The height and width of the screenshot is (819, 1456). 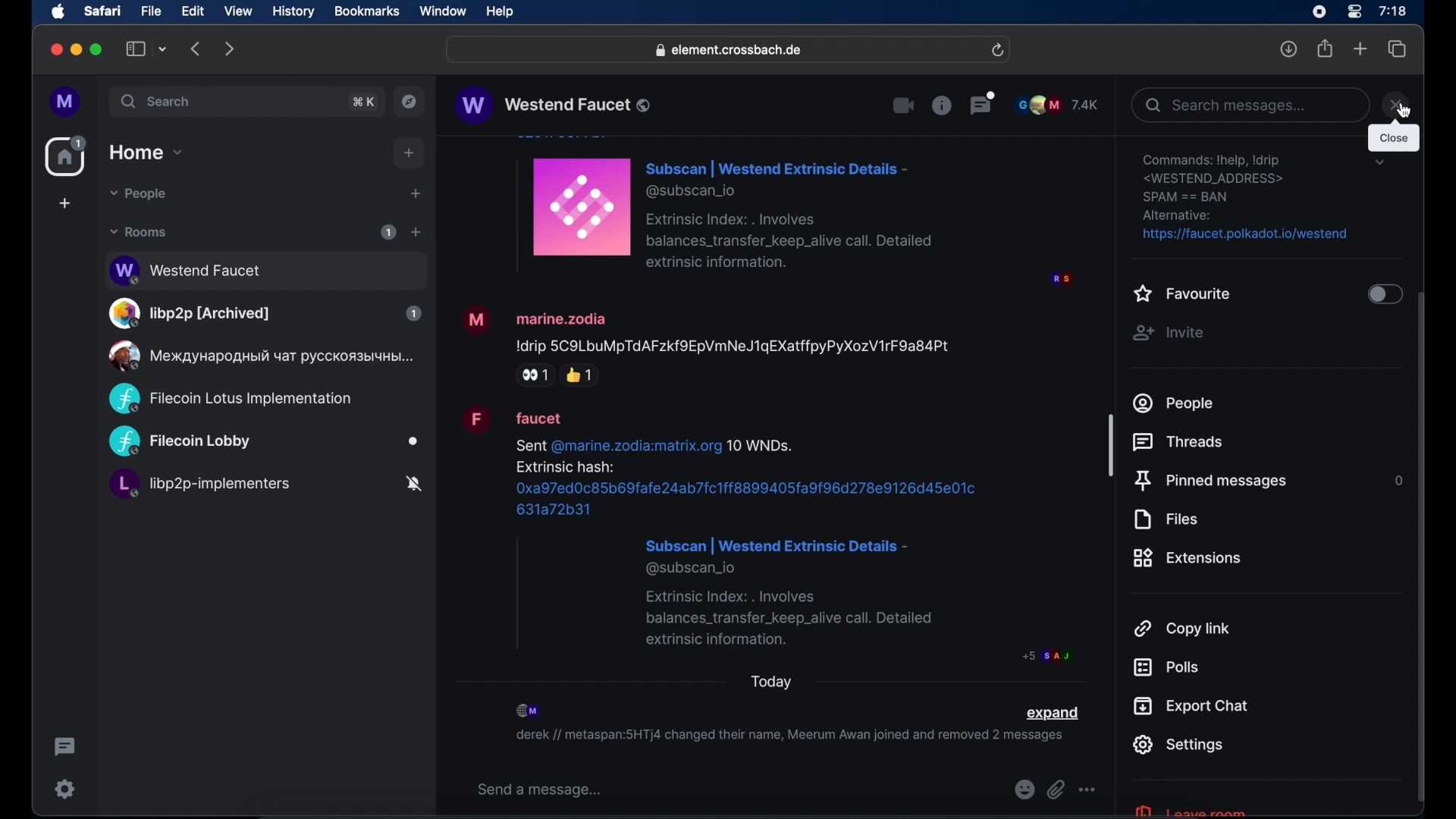 I want to click on help, so click(x=500, y=12).